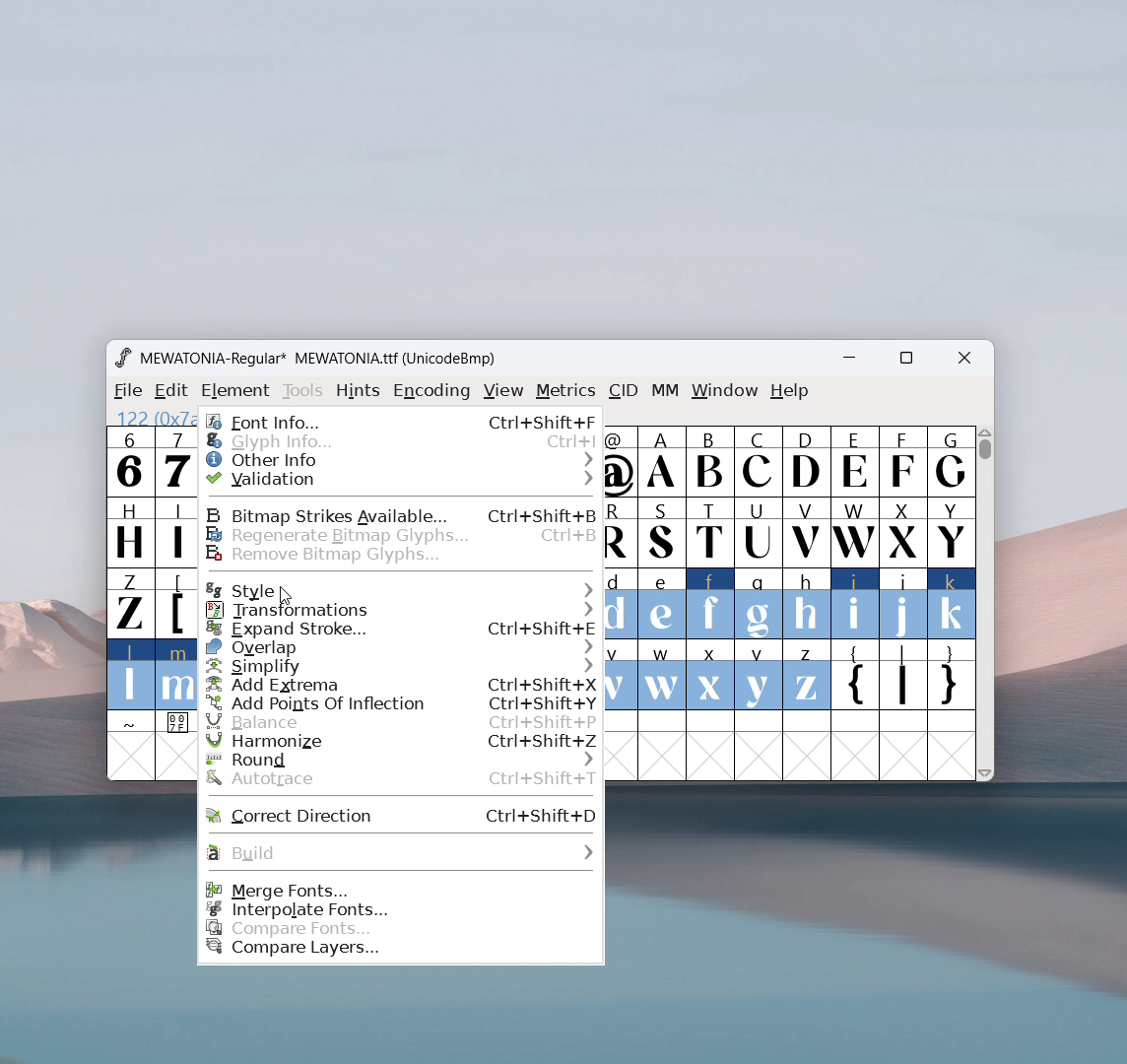 The width and height of the screenshot is (1127, 1064). What do you see at coordinates (986, 601) in the screenshot?
I see `Vertical` at bounding box center [986, 601].